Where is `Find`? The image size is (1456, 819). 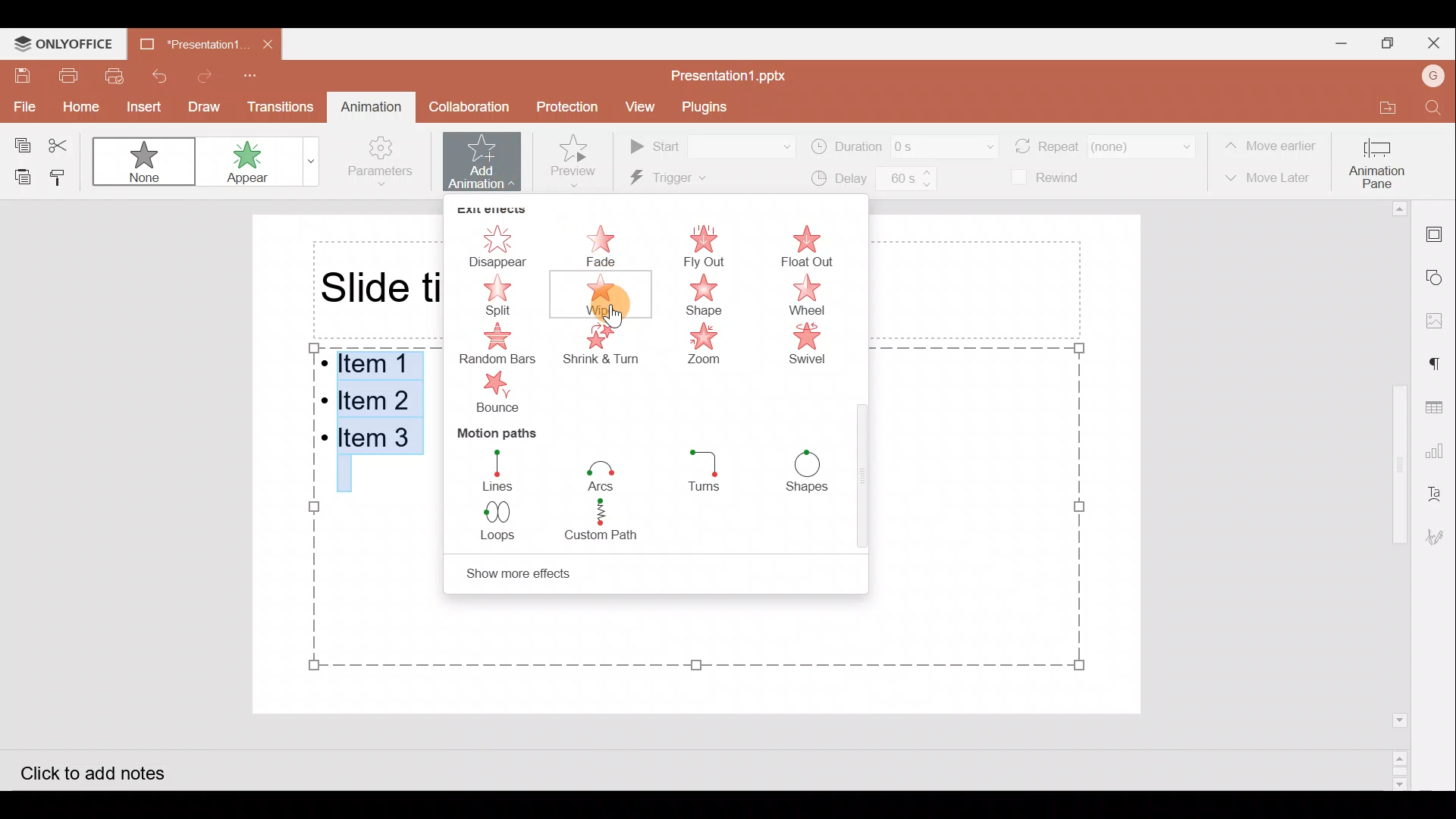
Find is located at coordinates (1432, 104).